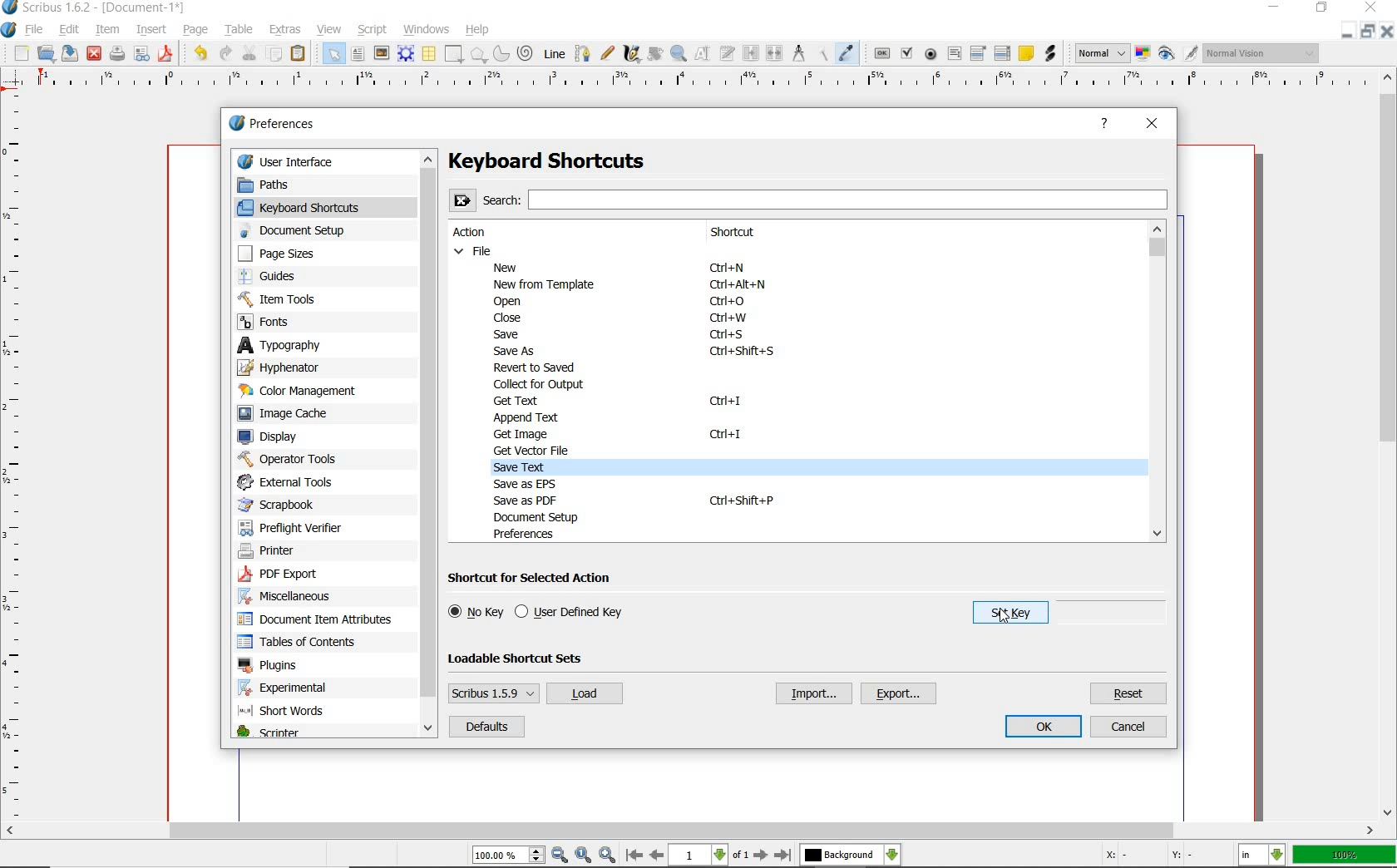 Image resolution: width=1397 pixels, height=868 pixels. What do you see at coordinates (282, 323) in the screenshot?
I see `fonts` at bounding box center [282, 323].